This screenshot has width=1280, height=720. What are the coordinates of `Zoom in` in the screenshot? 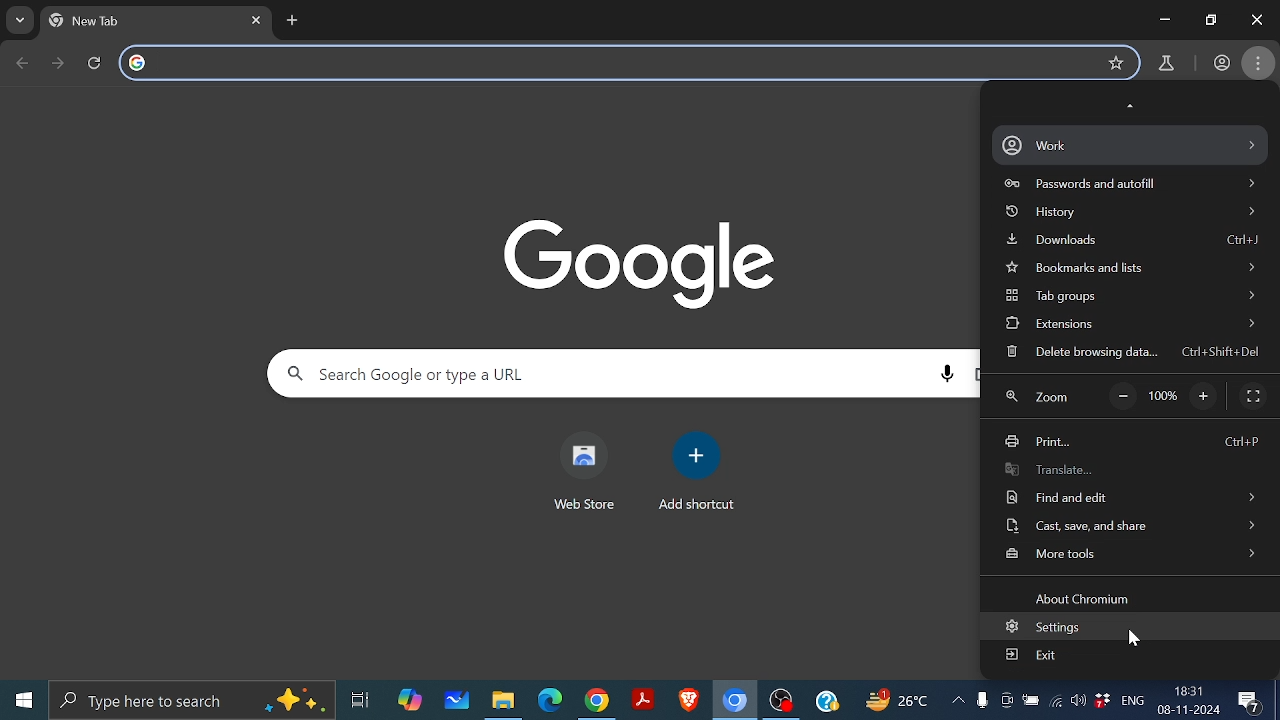 It's located at (1206, 397).